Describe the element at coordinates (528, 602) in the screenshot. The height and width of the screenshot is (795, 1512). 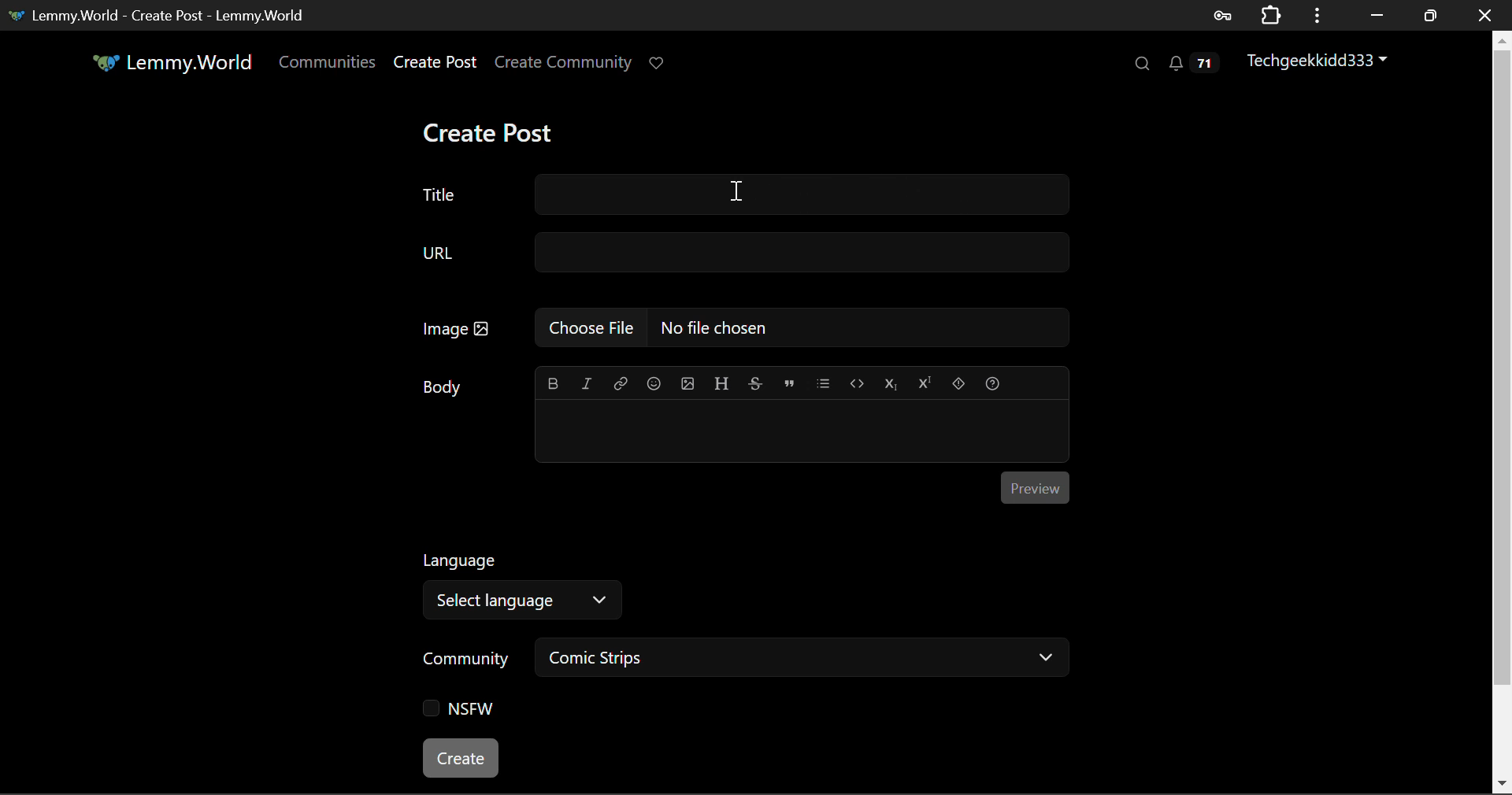
I see `Select Language` at that location.